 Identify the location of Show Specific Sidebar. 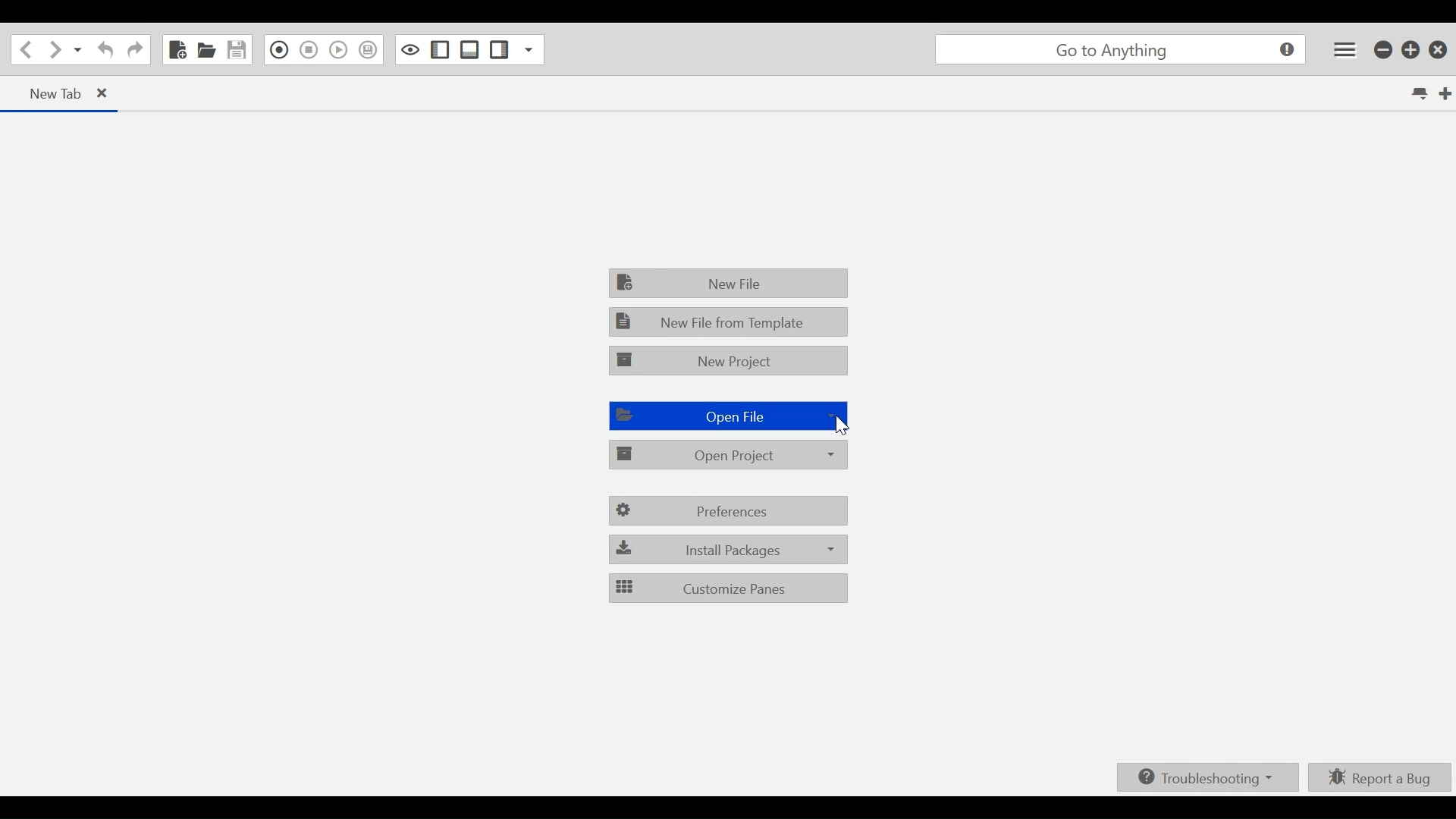
(529, 50).